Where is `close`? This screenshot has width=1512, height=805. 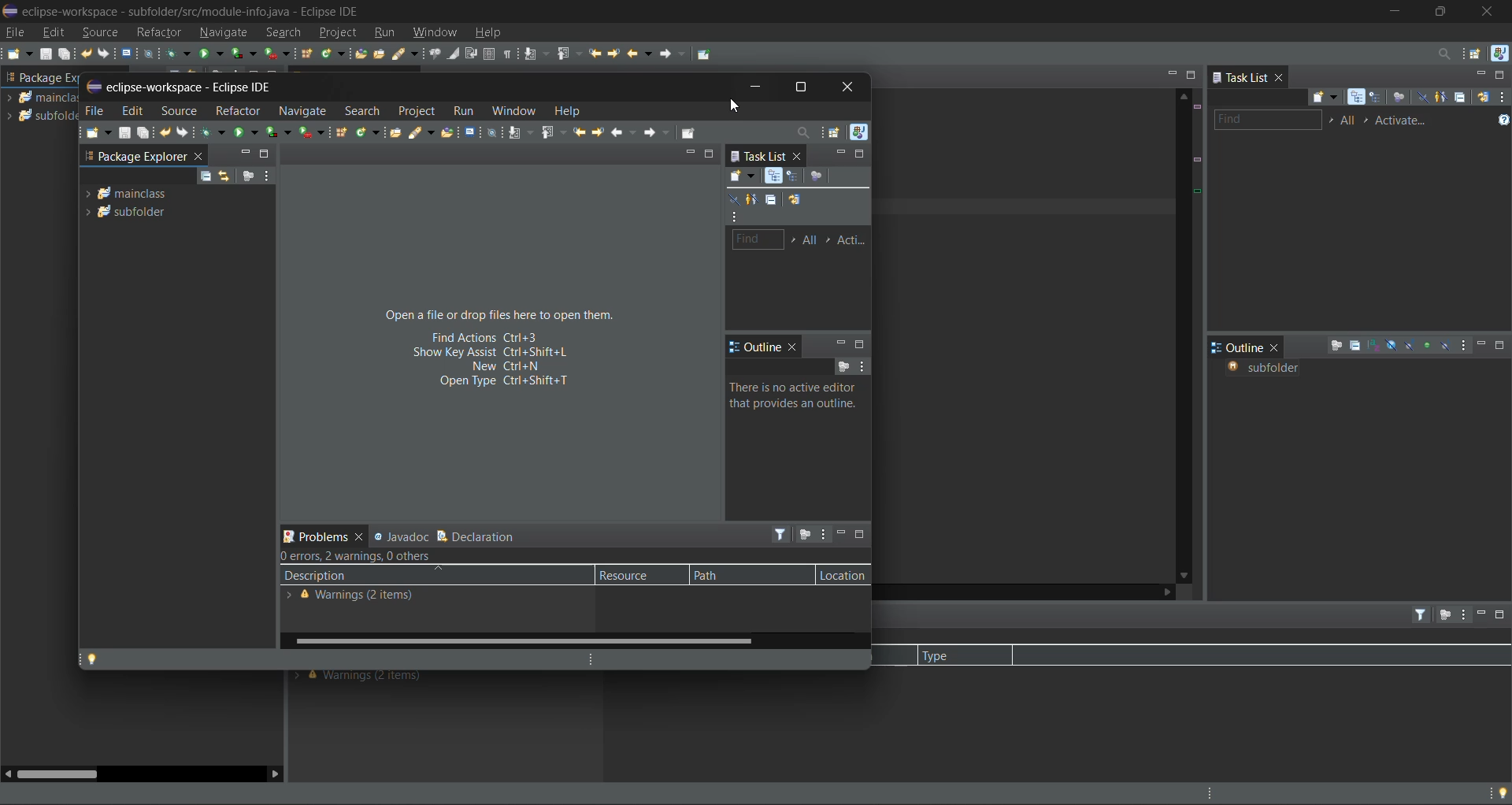 close is located at coordinates (1495, 11).